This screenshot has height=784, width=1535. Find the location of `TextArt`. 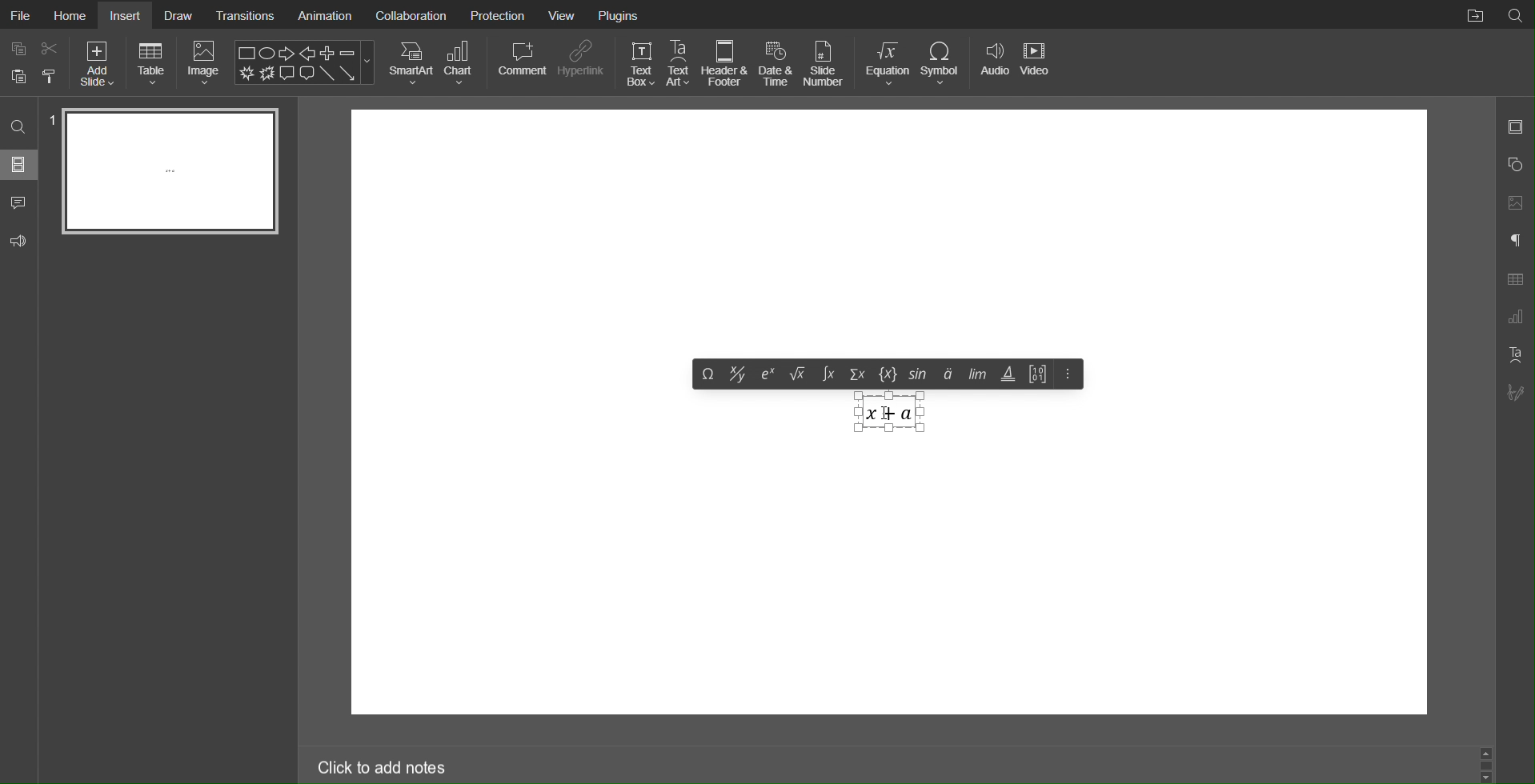

TextArt is located at coordinates (1515, 353).